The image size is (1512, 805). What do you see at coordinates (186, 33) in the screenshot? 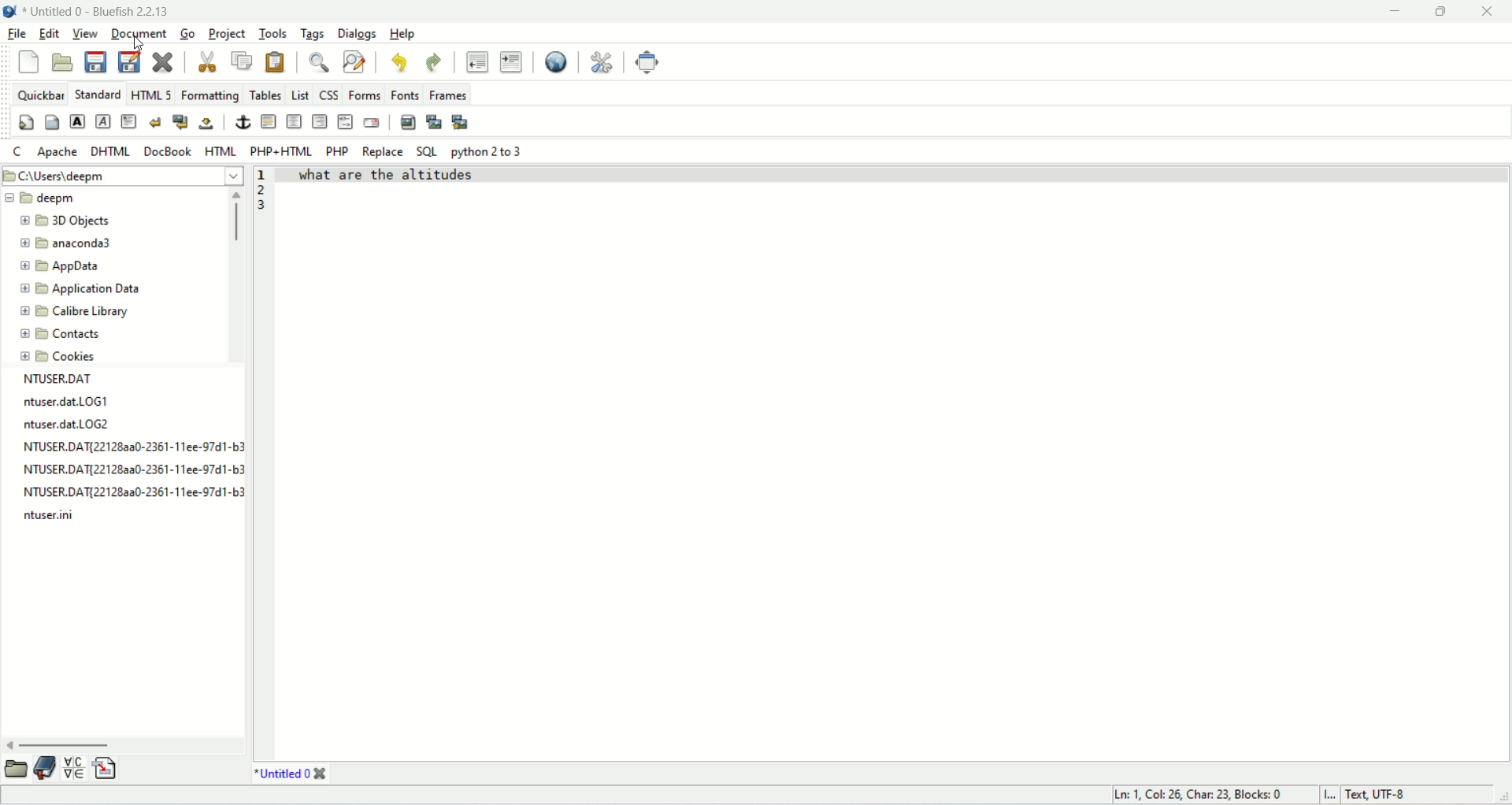
I see `go` at bounding box center [186, 33].